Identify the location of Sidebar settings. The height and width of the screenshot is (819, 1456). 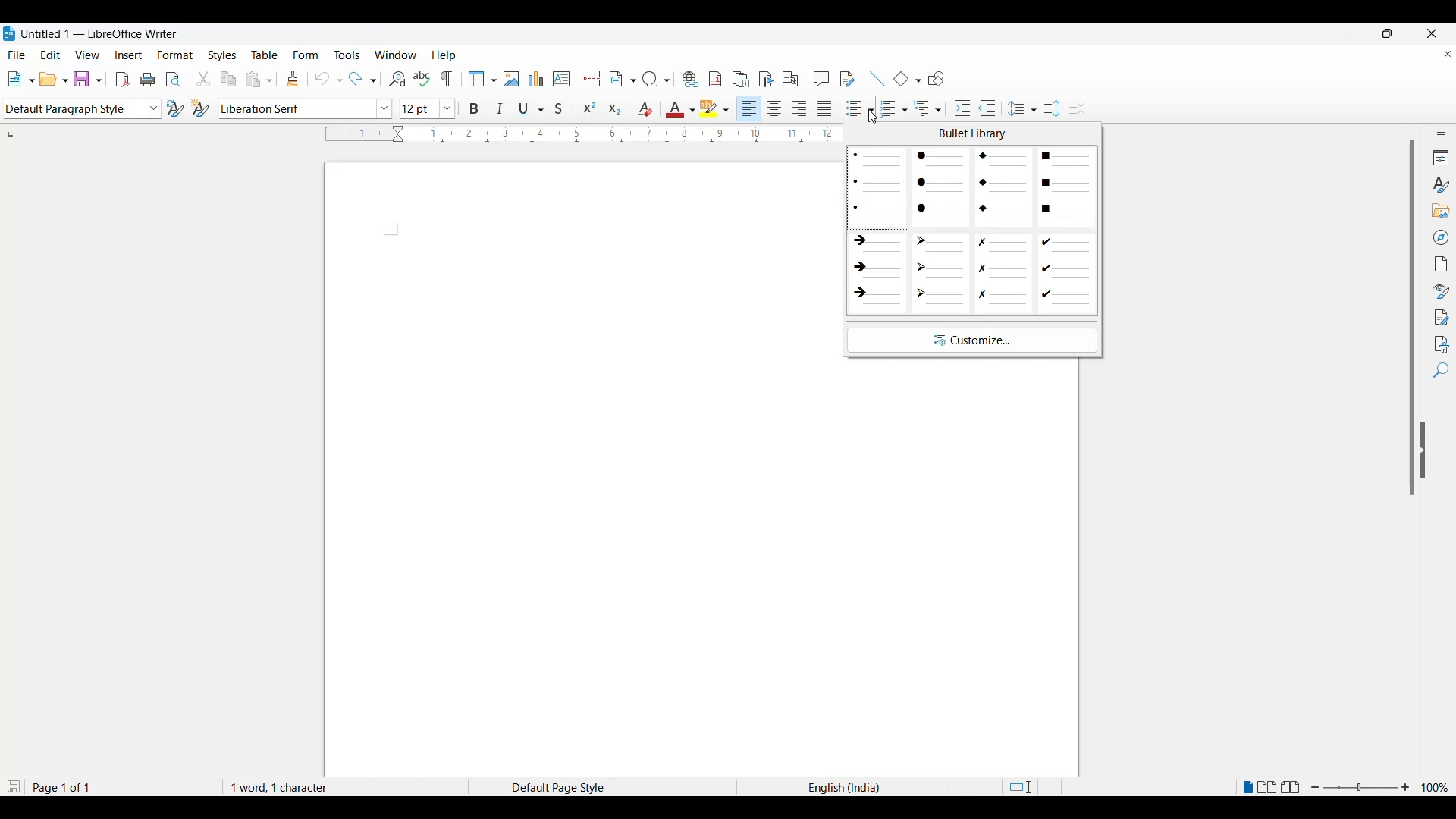
(1439, 132).